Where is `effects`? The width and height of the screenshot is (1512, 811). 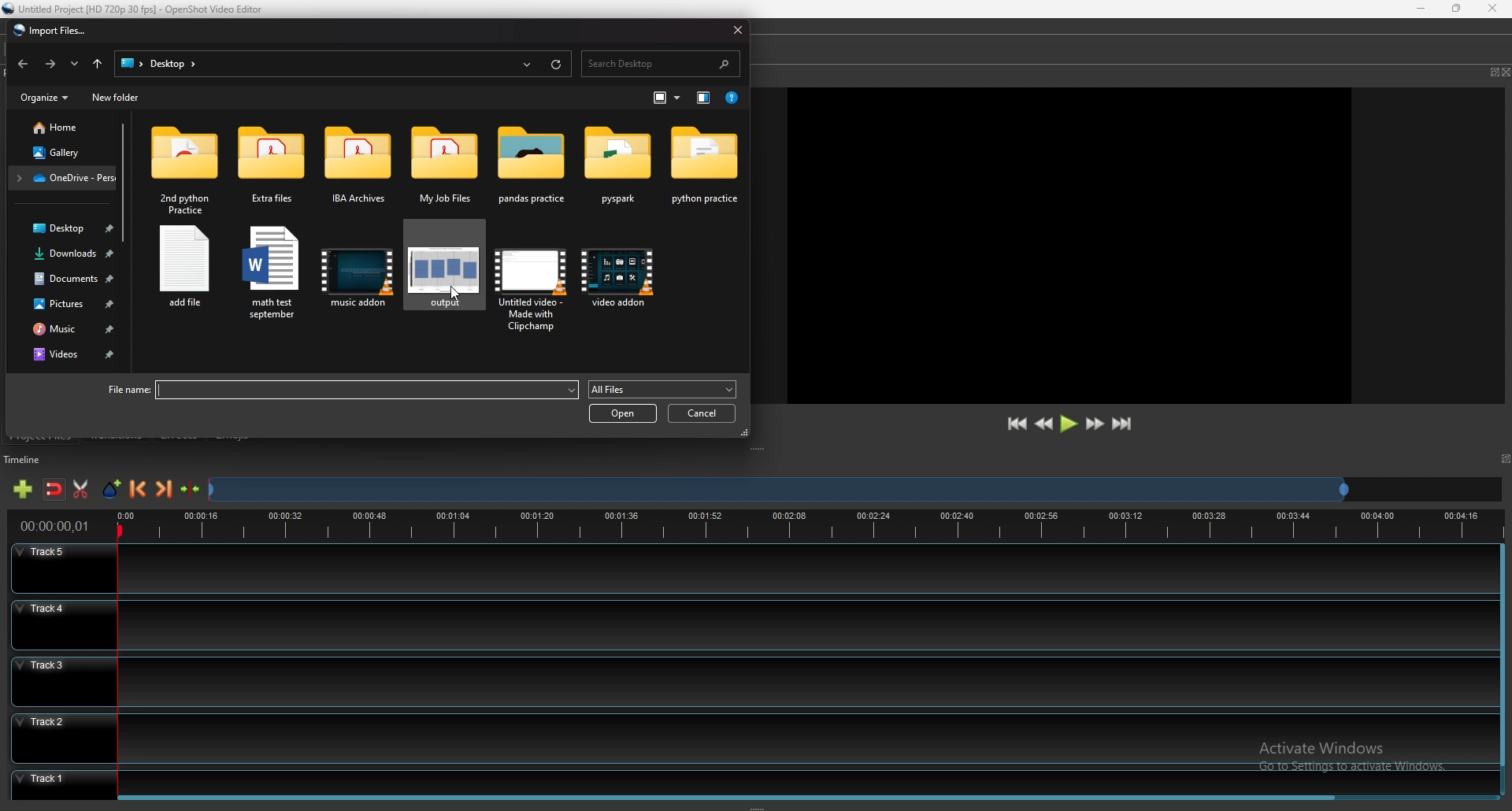
effects is located at coordinates (180, 435).